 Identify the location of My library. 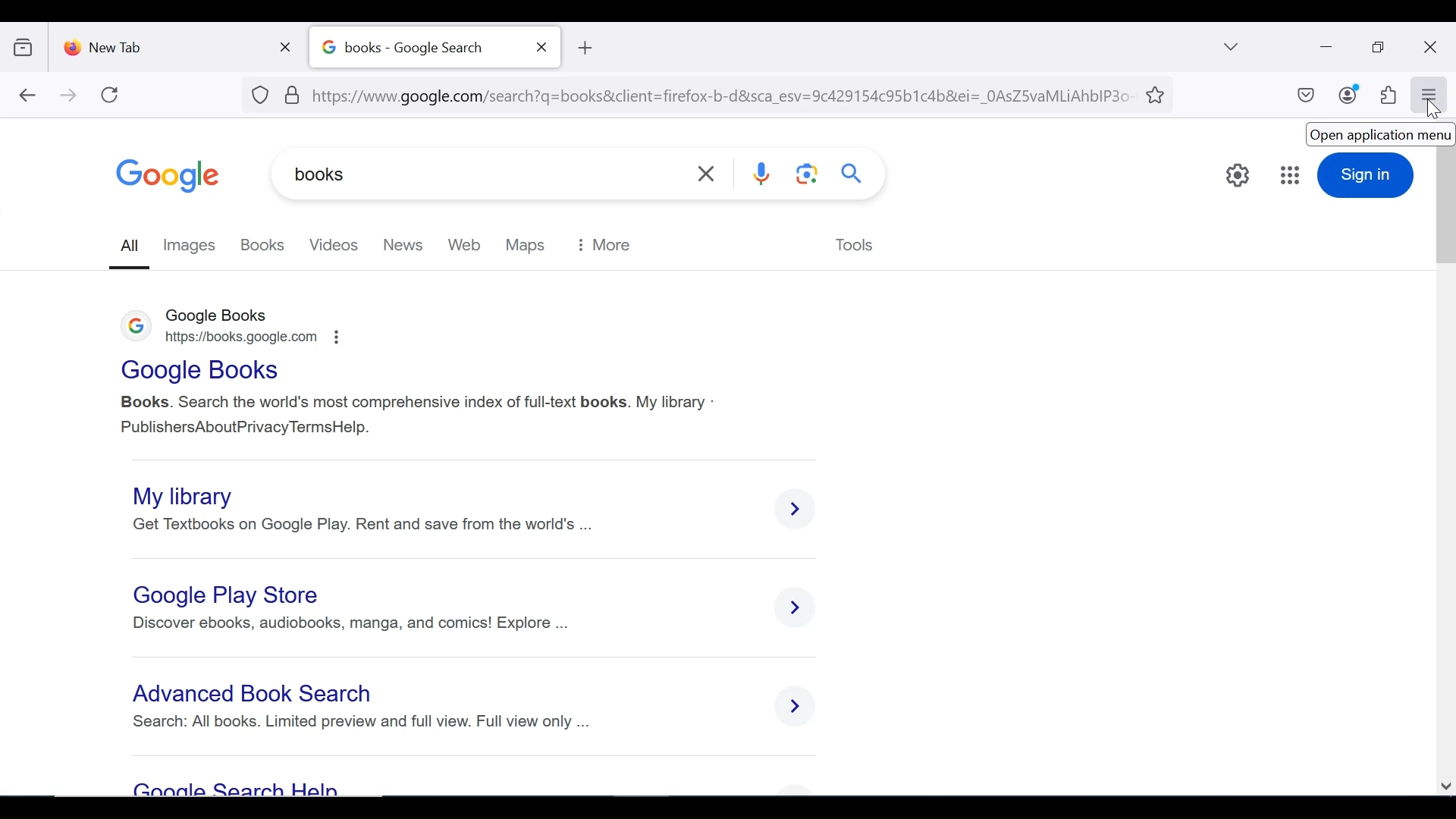
(180, 496).